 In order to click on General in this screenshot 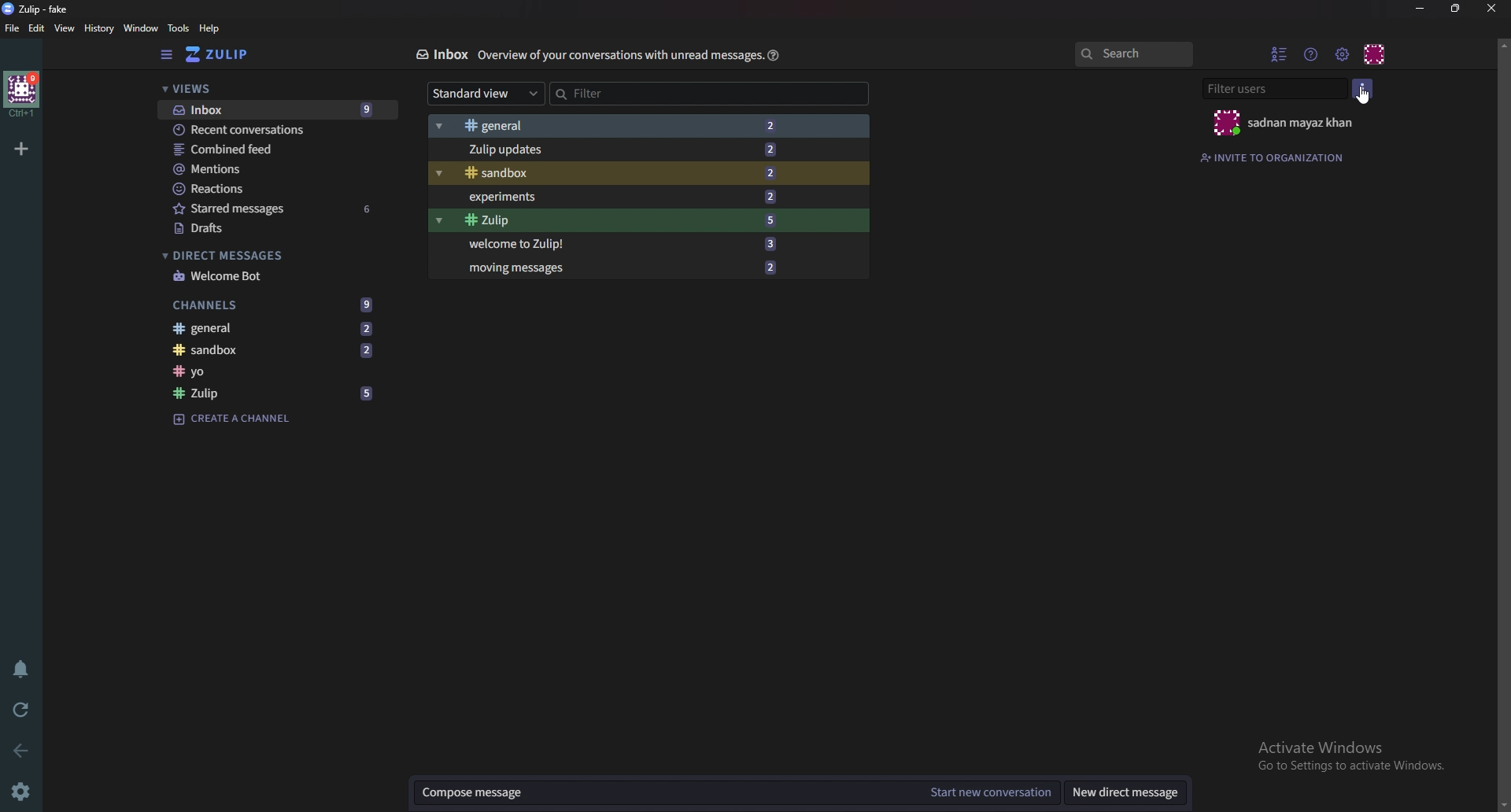, I will do `click(615, 127)`.